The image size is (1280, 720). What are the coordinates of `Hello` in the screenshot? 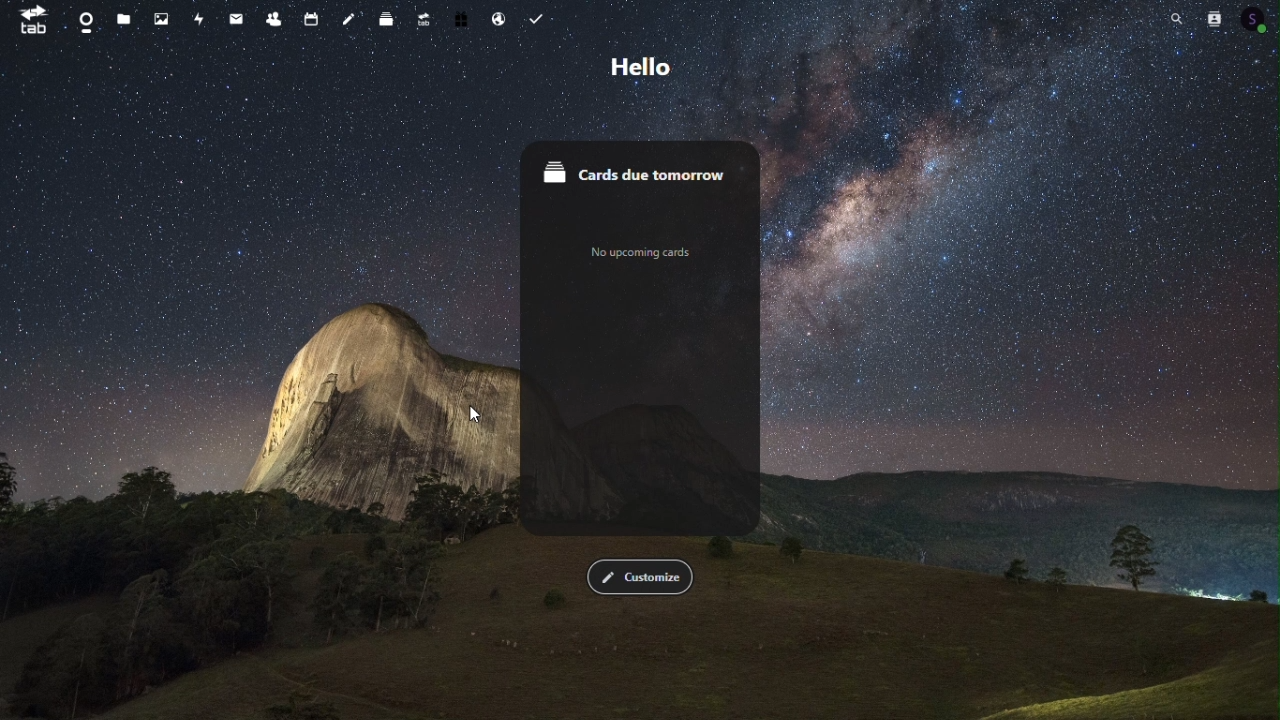 It's located at (646, 65).